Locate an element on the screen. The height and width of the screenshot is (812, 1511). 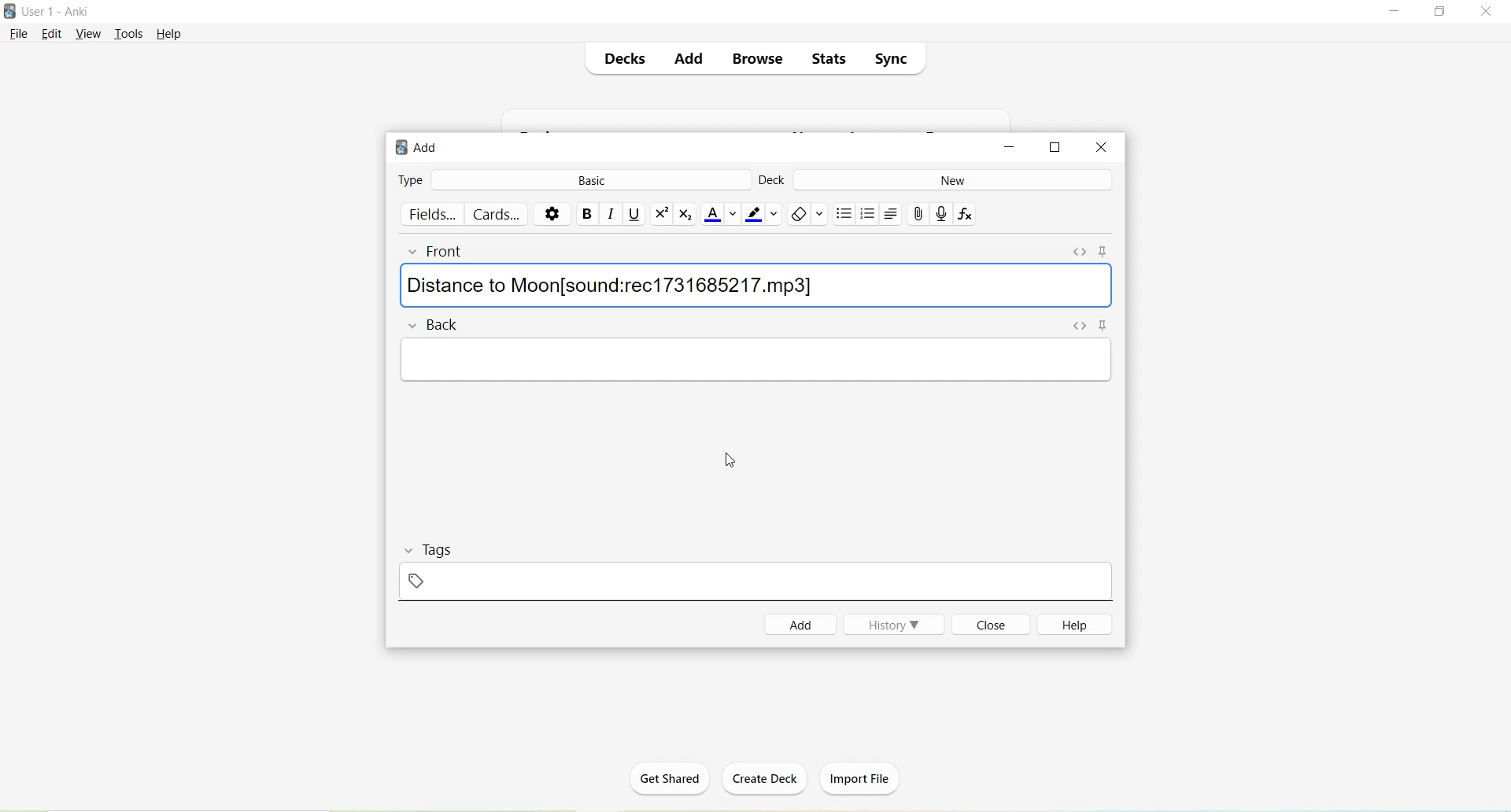
Tools is located at coordinates (129, 35).